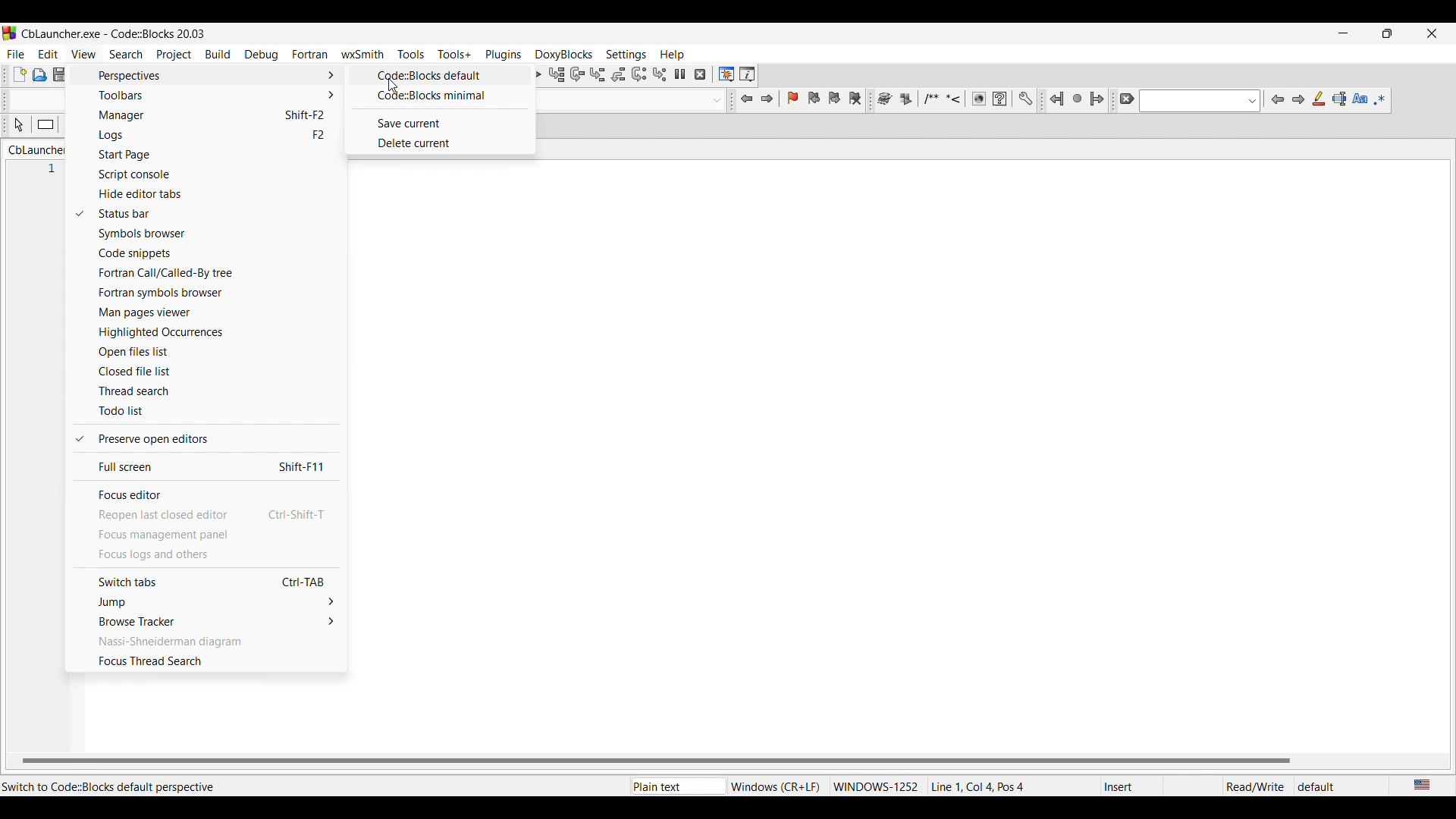 The height and width of the screenshot is (819, 1456). What do you see at coordinates (208, 641) in the screenshot?
I see `Nassi-Shneiderman diagram` at bounding box center [208, 641].